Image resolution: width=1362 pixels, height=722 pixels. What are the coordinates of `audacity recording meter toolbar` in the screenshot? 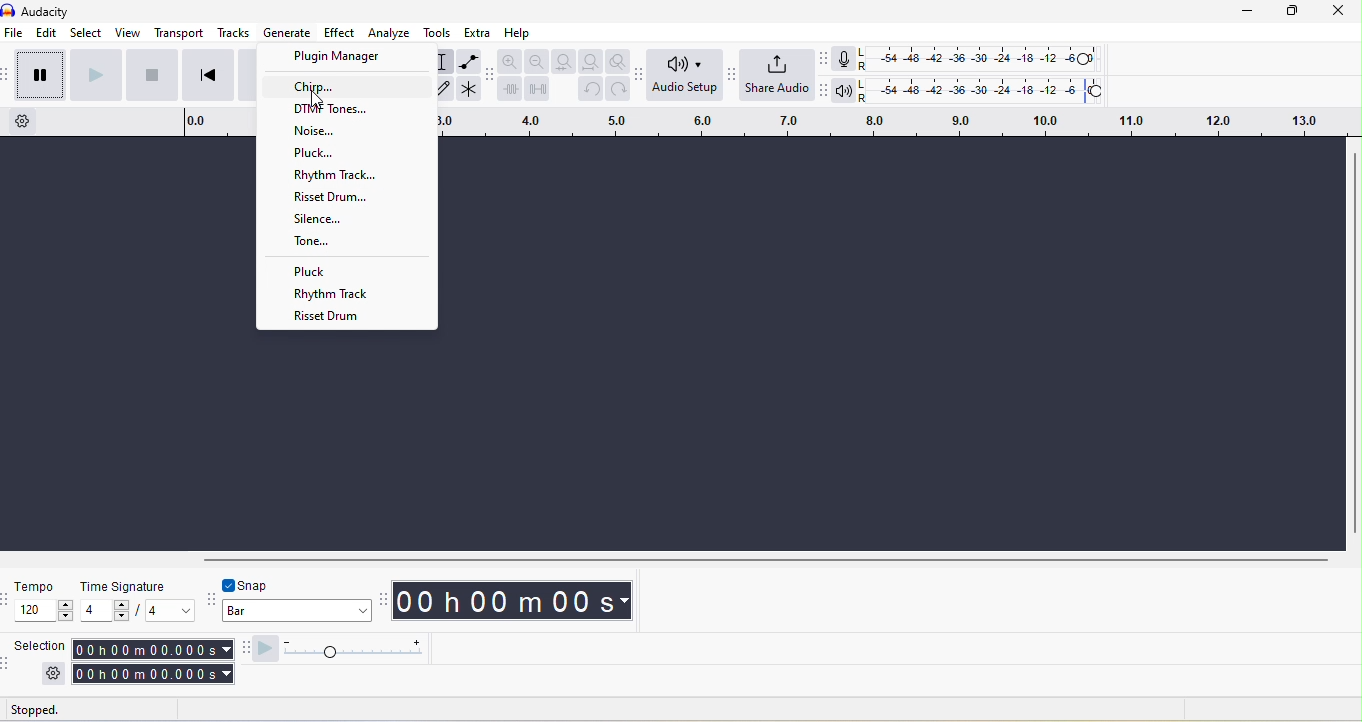 It's located at (827, 58).